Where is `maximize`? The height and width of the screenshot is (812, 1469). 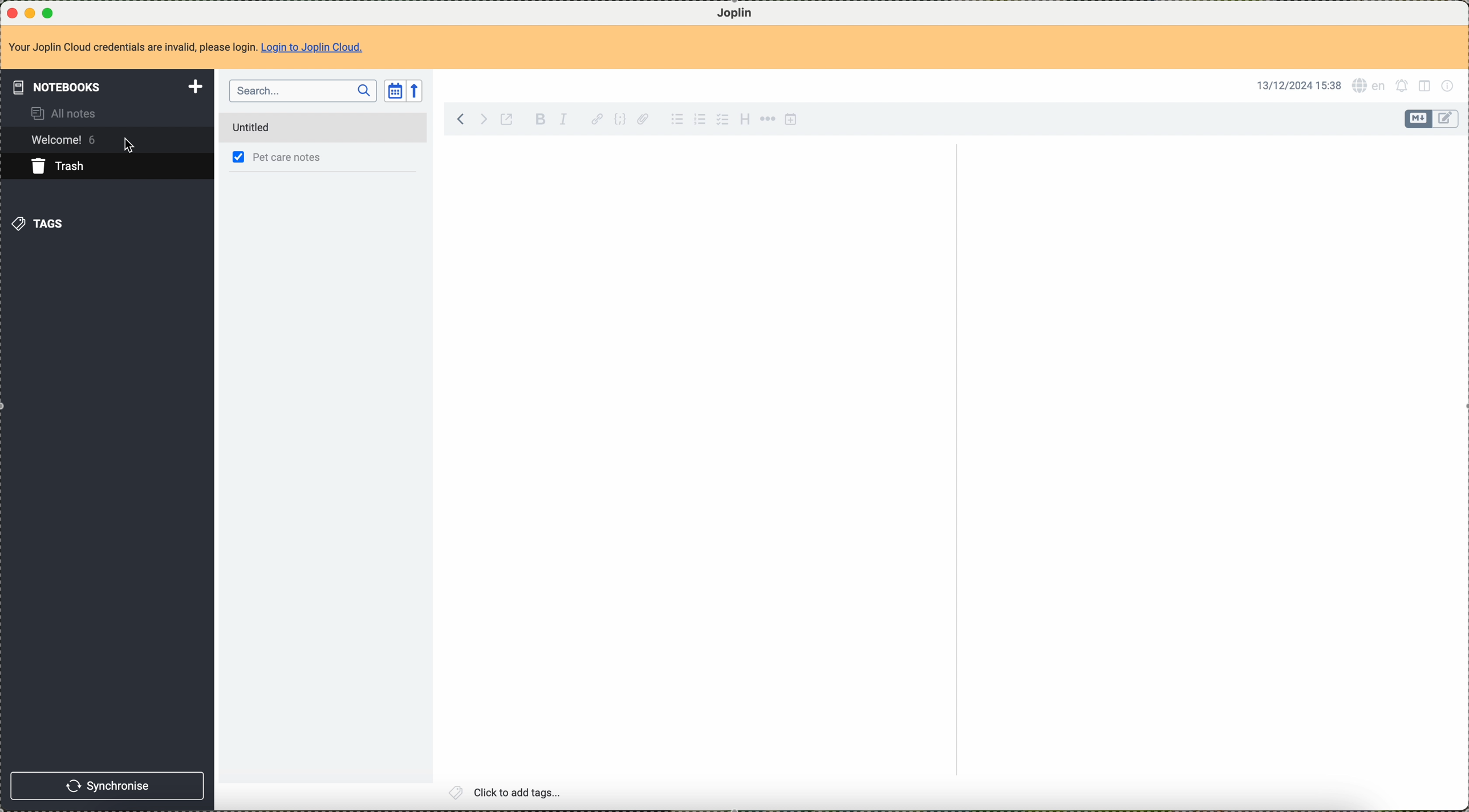 maximize is located at coordinates (48, 11).